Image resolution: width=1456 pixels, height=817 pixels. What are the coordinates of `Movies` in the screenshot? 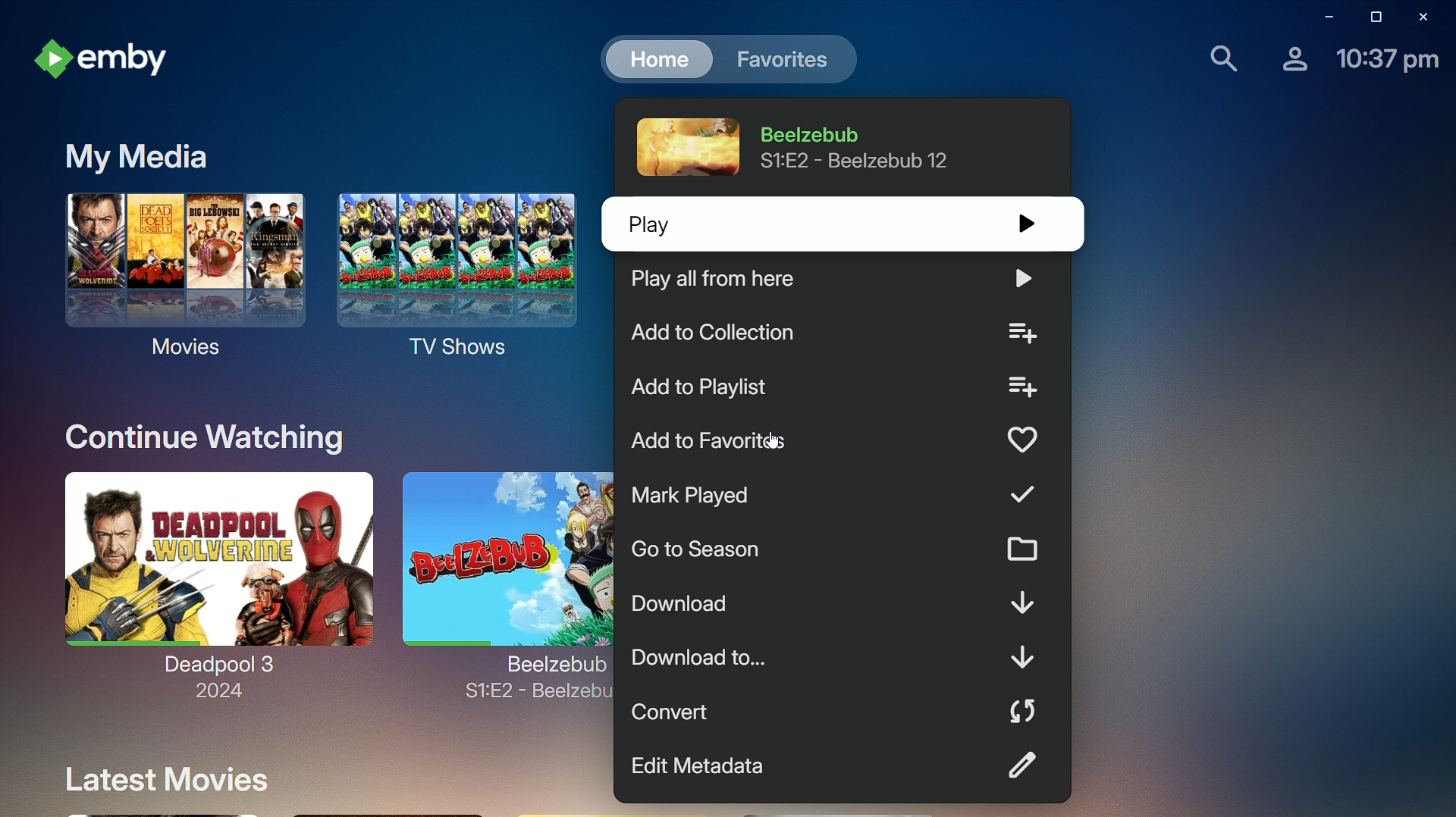 It's located at (177, 277).